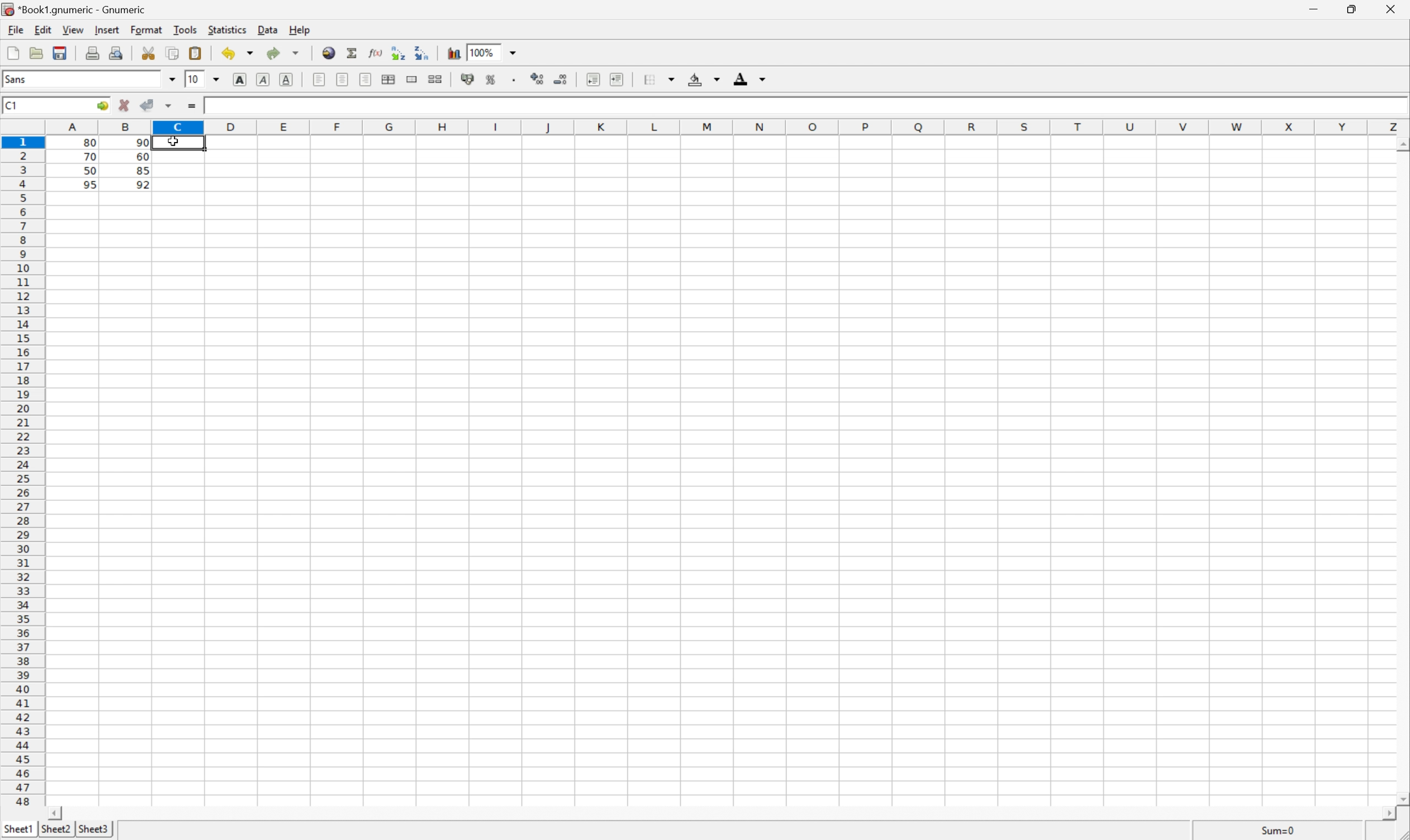 This screenshot has height=840, width=1410. I want to click on View, so click(74, 29).